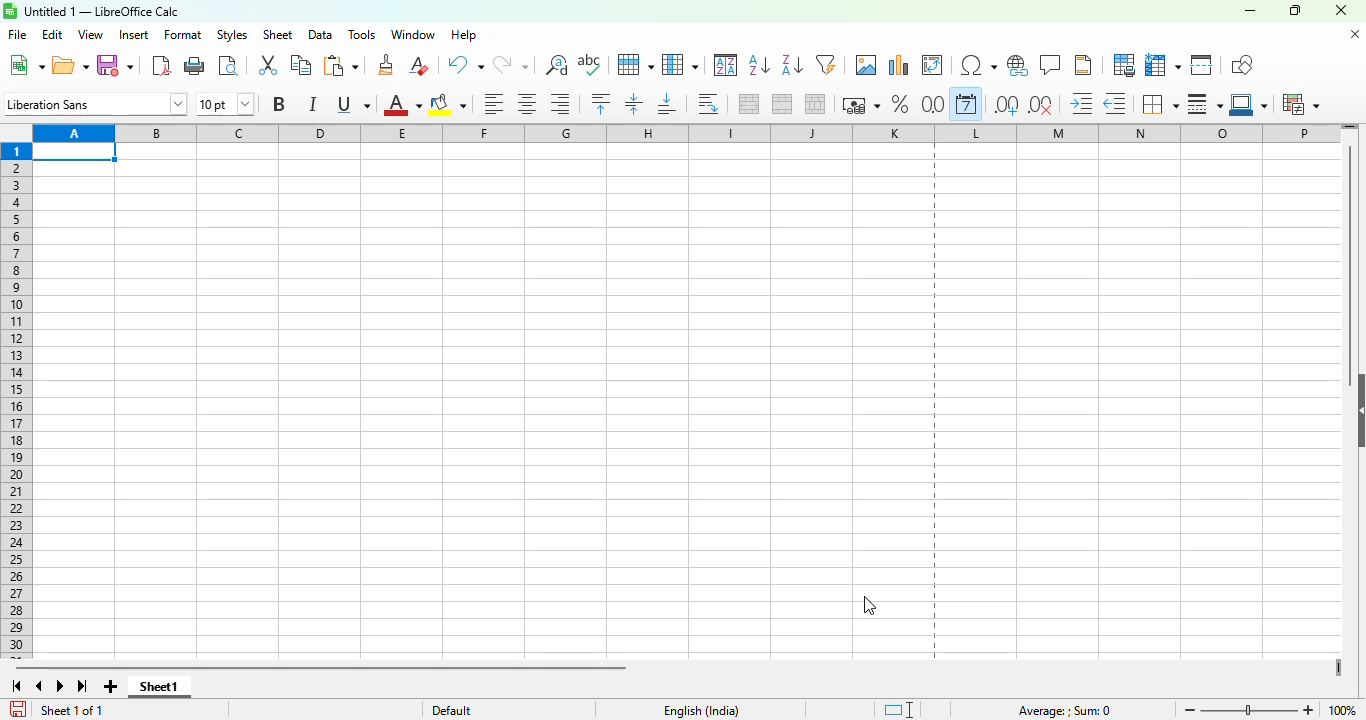 This screenshot has width=1366, height=720. I want to click on font name, so click(95, 103).